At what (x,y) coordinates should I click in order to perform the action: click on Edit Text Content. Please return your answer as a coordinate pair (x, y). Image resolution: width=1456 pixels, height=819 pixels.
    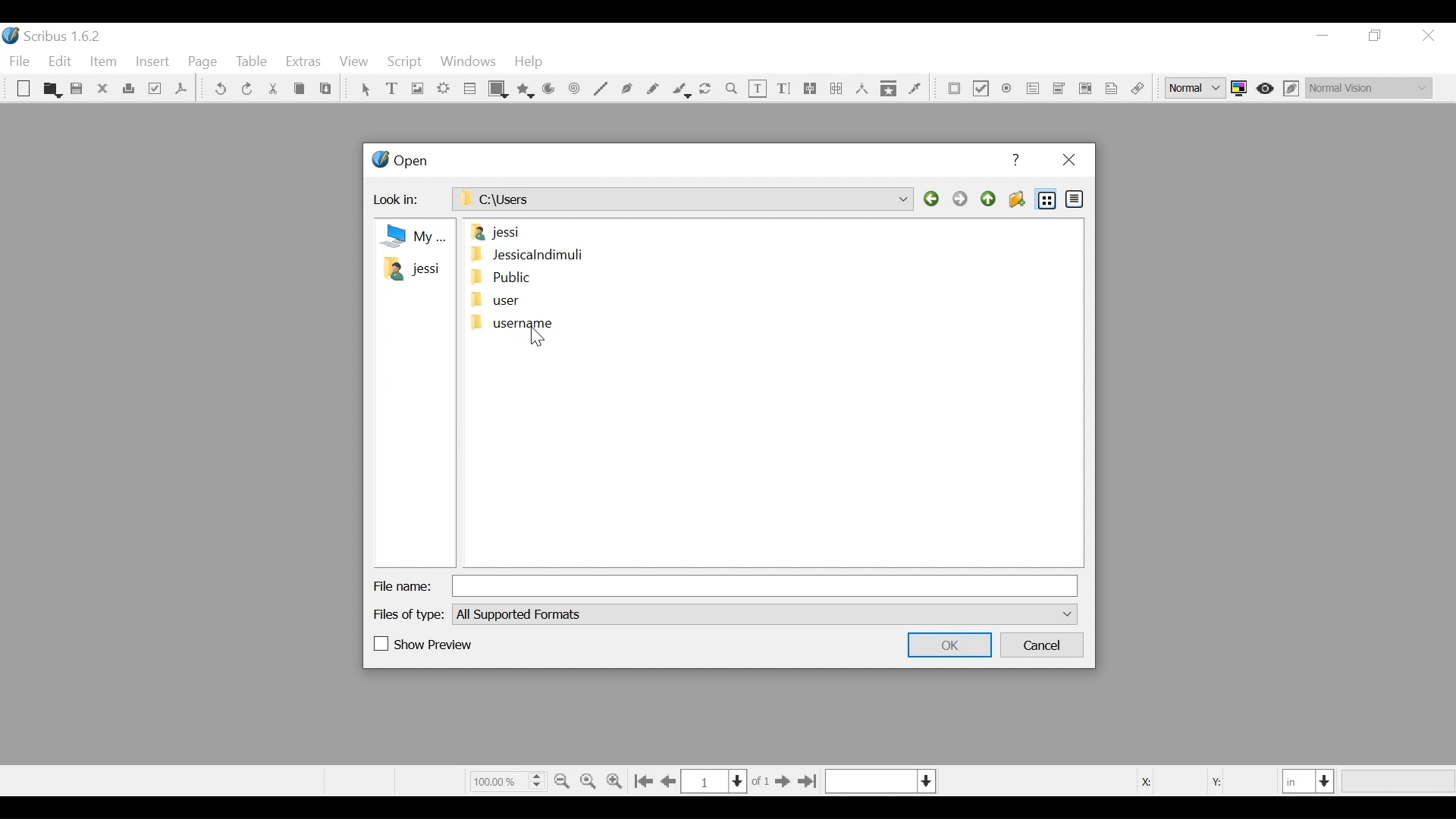
    Looking at the image, I should click on (758, 89).